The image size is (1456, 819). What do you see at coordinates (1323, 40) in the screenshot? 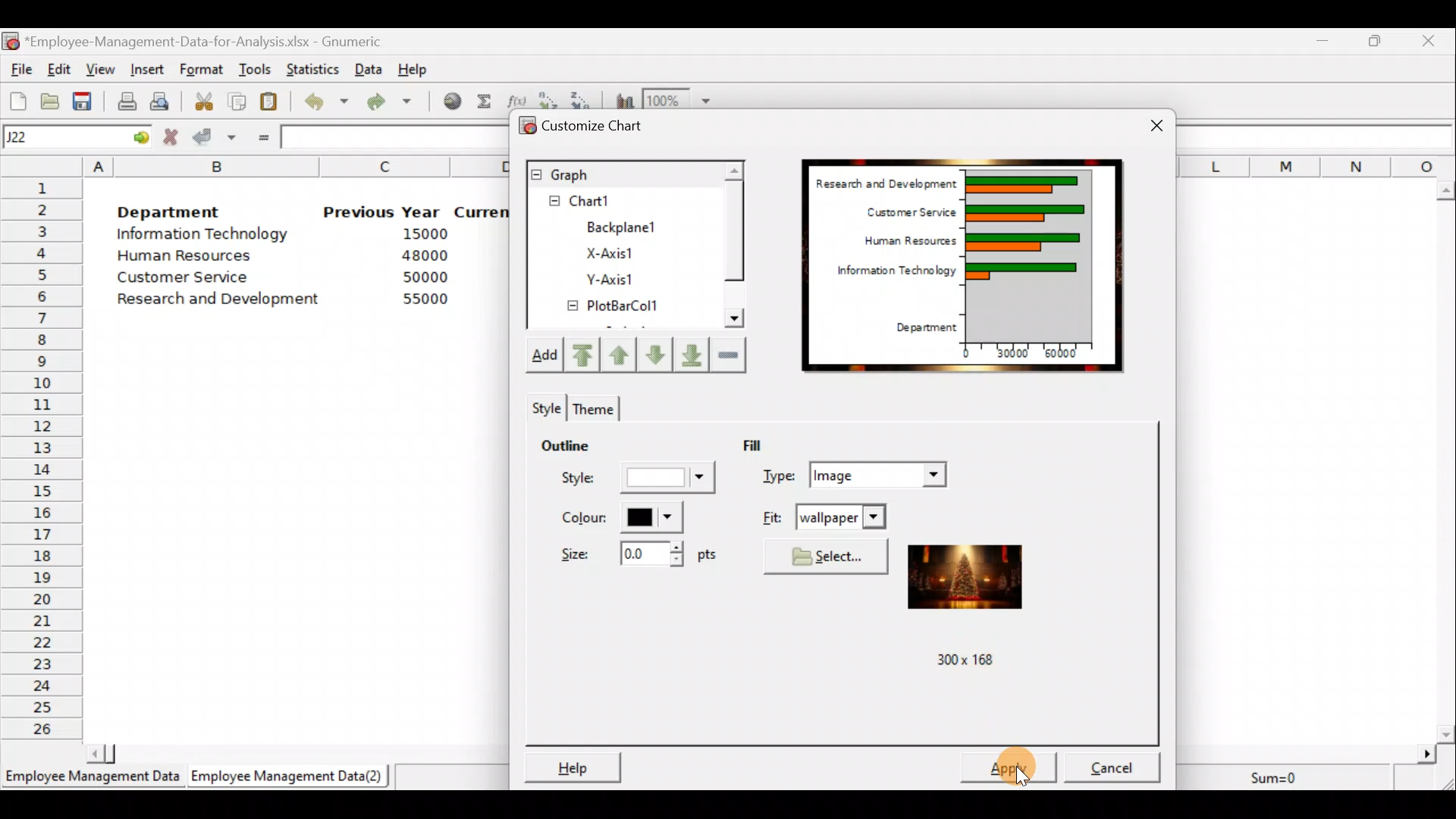
I see `Minimize` at bounding box center [1323, 40].